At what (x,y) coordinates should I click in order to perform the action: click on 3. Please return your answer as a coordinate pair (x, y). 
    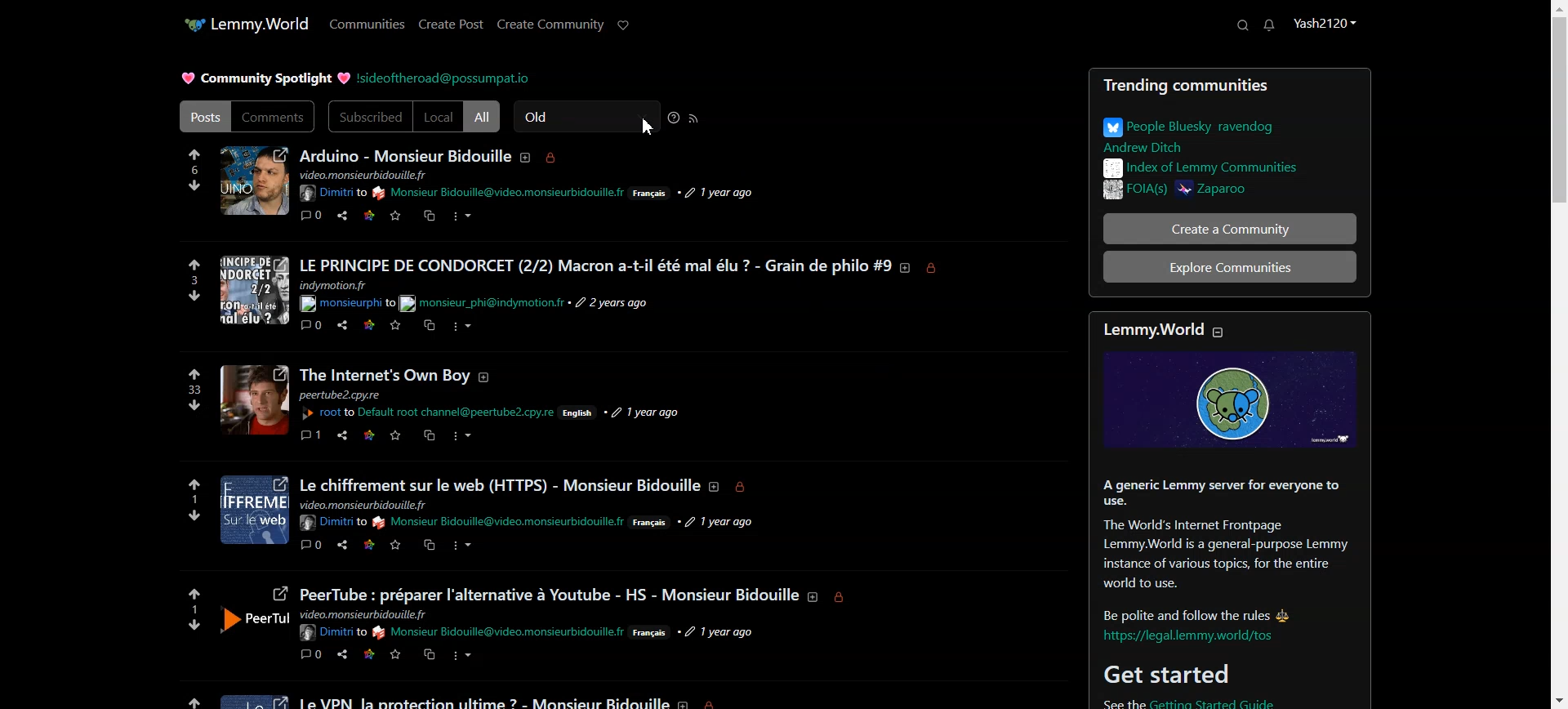
    Looking at the image, I should click on (190, 280).